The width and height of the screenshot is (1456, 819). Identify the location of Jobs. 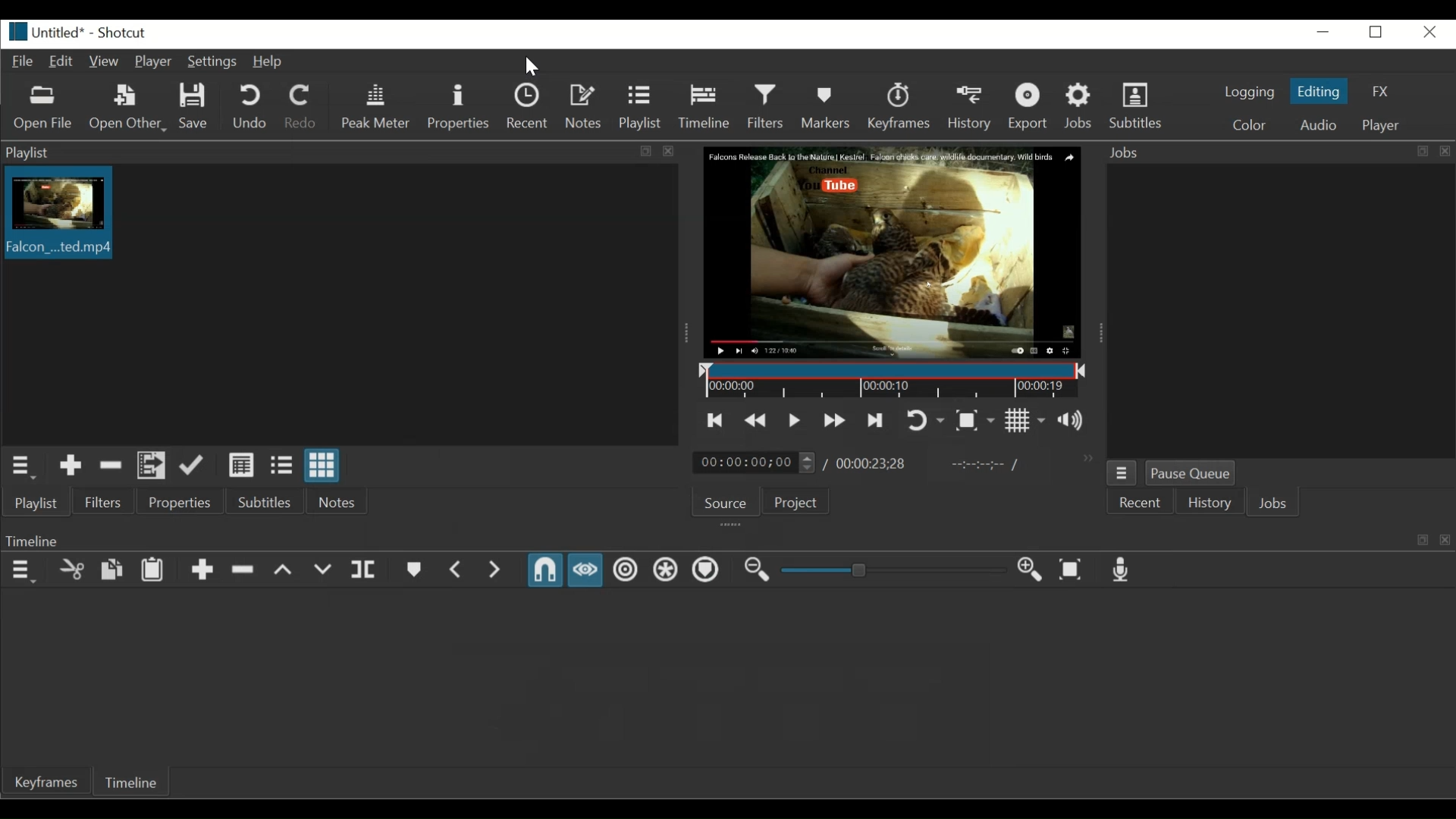
(1278, 152).